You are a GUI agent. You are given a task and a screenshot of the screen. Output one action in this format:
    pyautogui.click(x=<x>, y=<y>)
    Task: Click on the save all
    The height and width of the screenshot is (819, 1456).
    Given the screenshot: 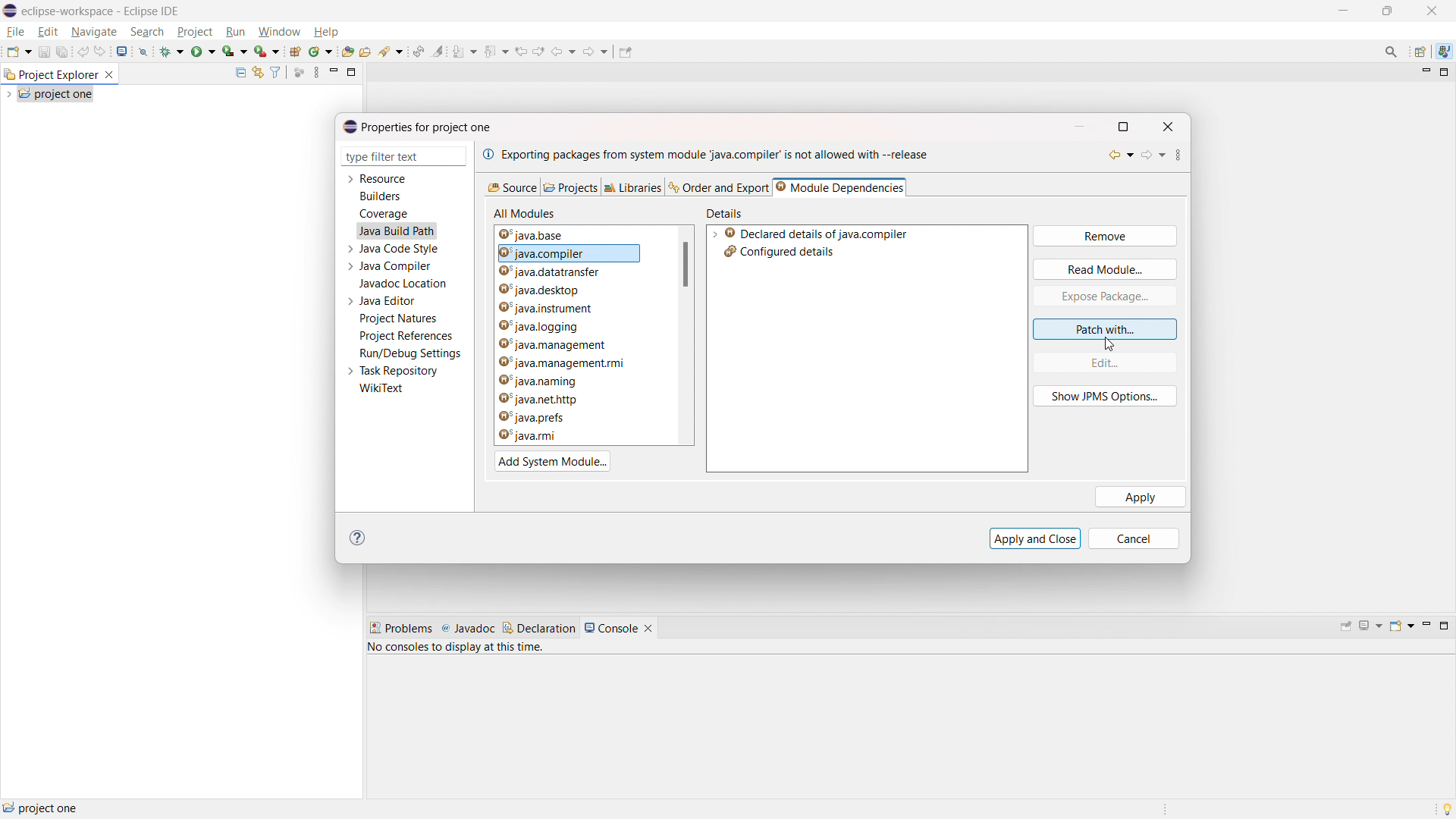 What is the action you would take?
    pyautogui.click(x=63, y=52)
    